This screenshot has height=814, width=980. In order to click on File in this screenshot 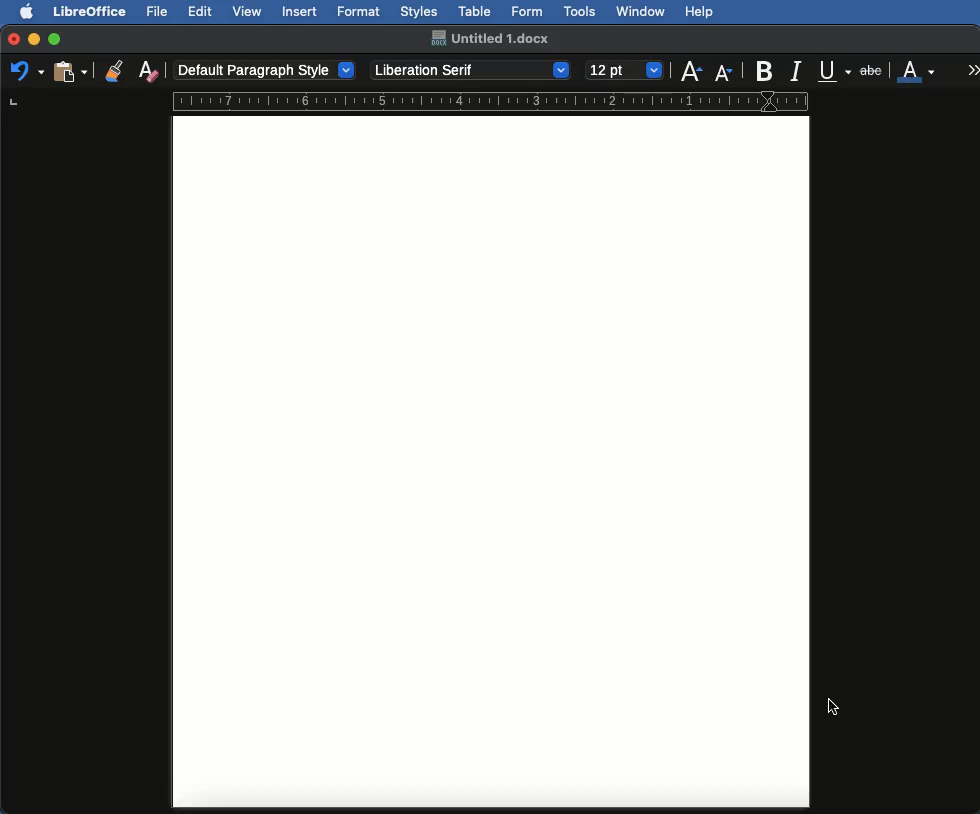, I will do `click(159, 11)`.